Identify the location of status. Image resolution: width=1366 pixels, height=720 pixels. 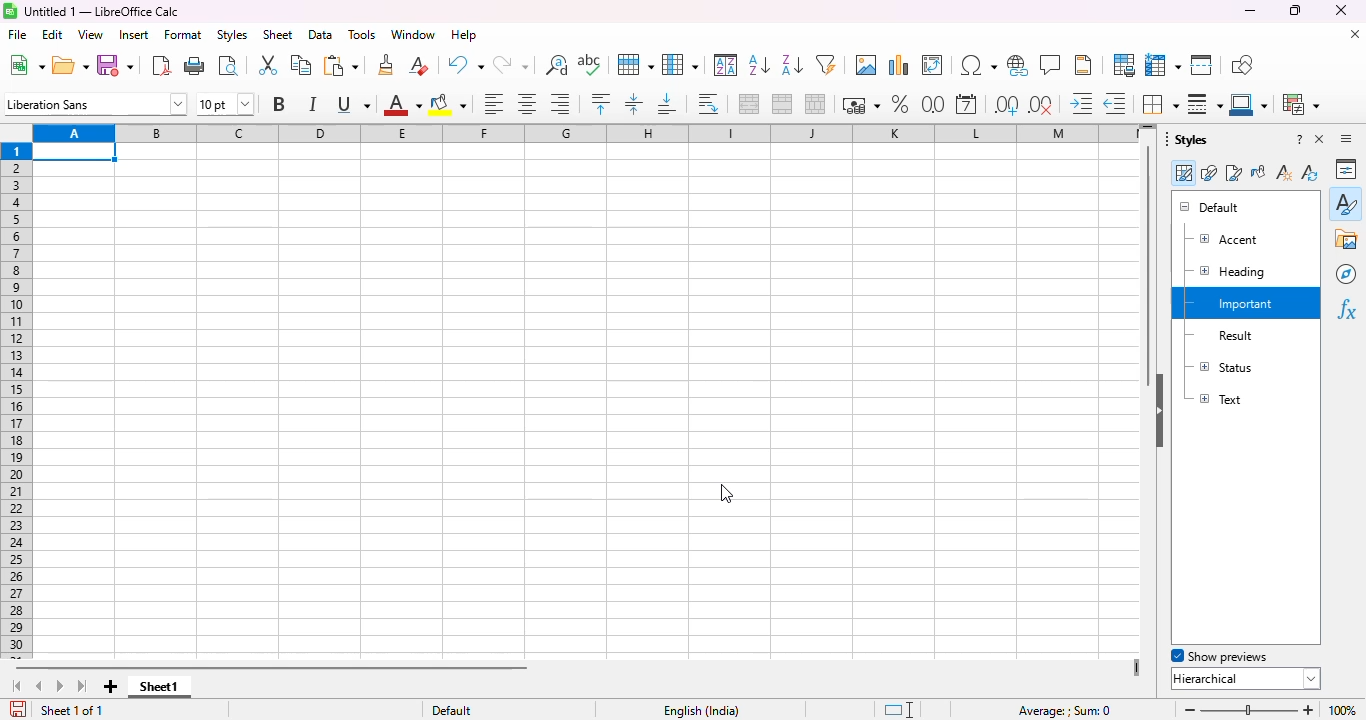
(1230, 368).